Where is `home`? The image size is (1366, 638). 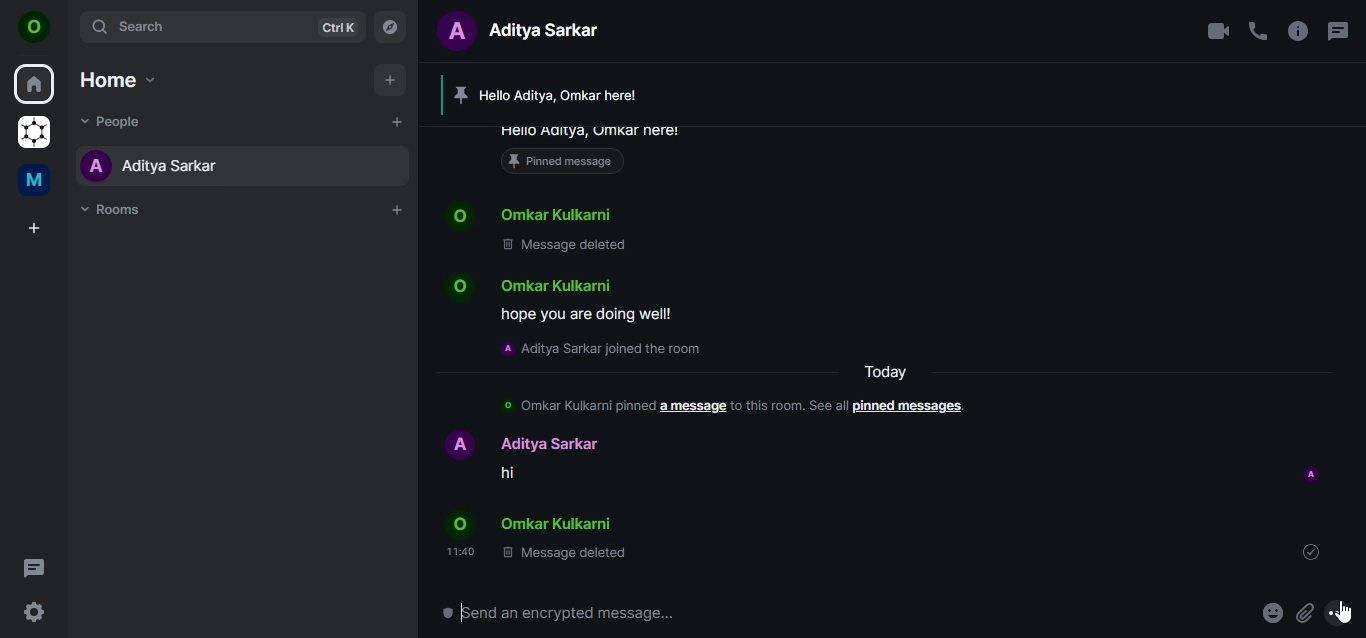 home is located at coordinates (36, 85).